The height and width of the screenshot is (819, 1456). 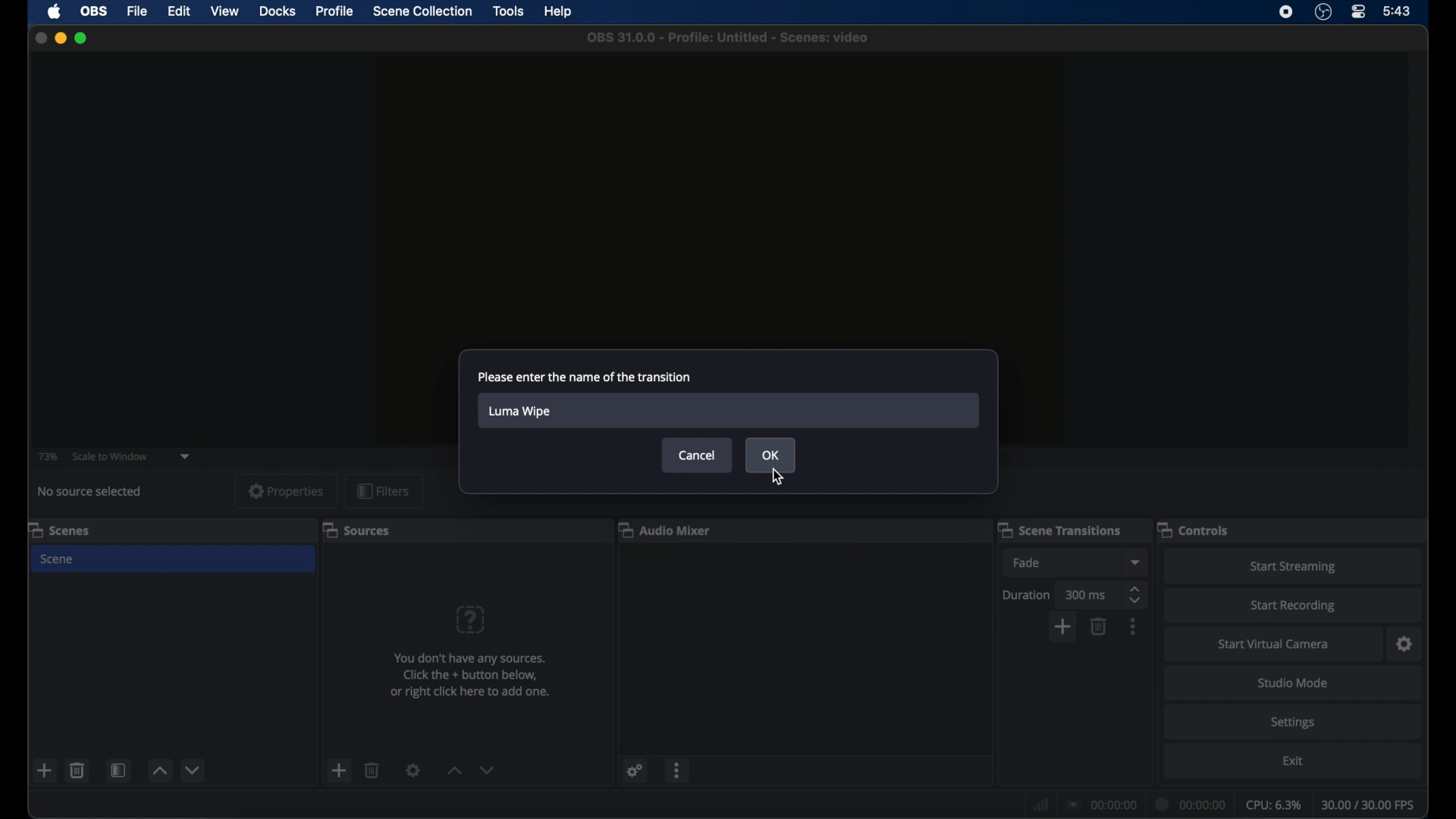 What do you see at coordinates (423, 11) in the screenshot?
I see `scene collection` at bounding box center [423, 11].